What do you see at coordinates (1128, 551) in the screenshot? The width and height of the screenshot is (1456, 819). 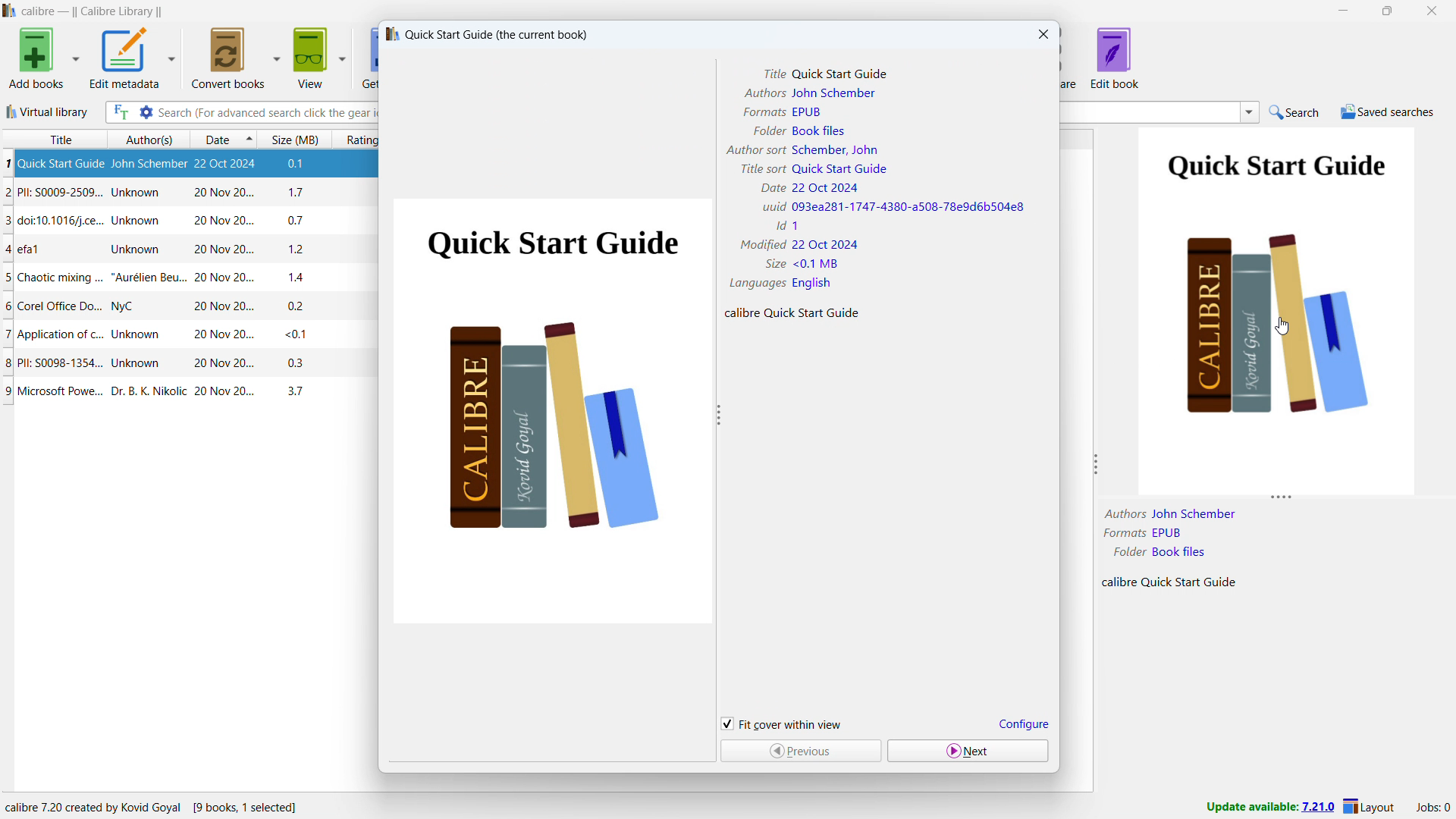 I see `Folder` at bounding box center [1128, 551].